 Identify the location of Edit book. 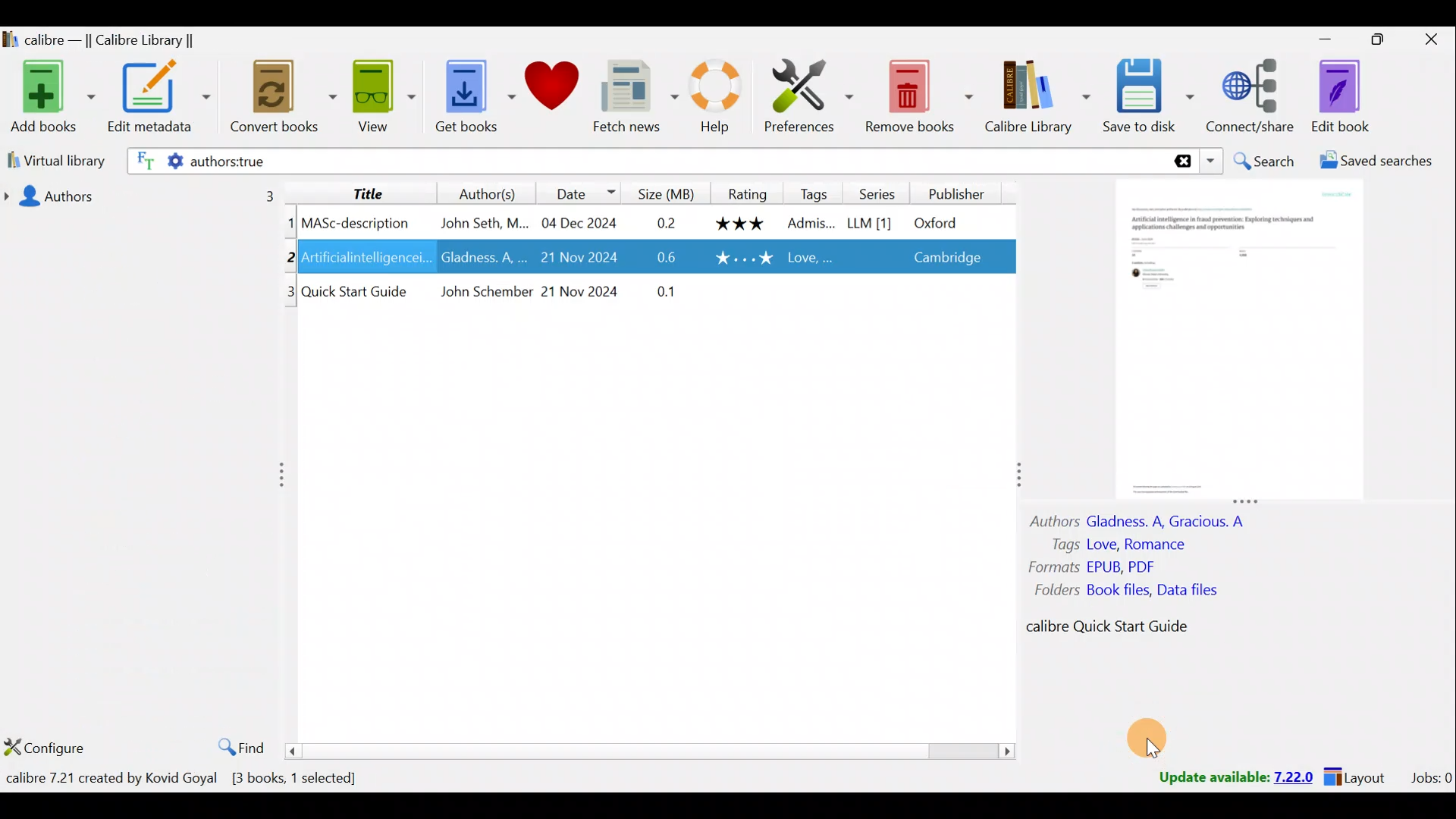
(1340, 96).